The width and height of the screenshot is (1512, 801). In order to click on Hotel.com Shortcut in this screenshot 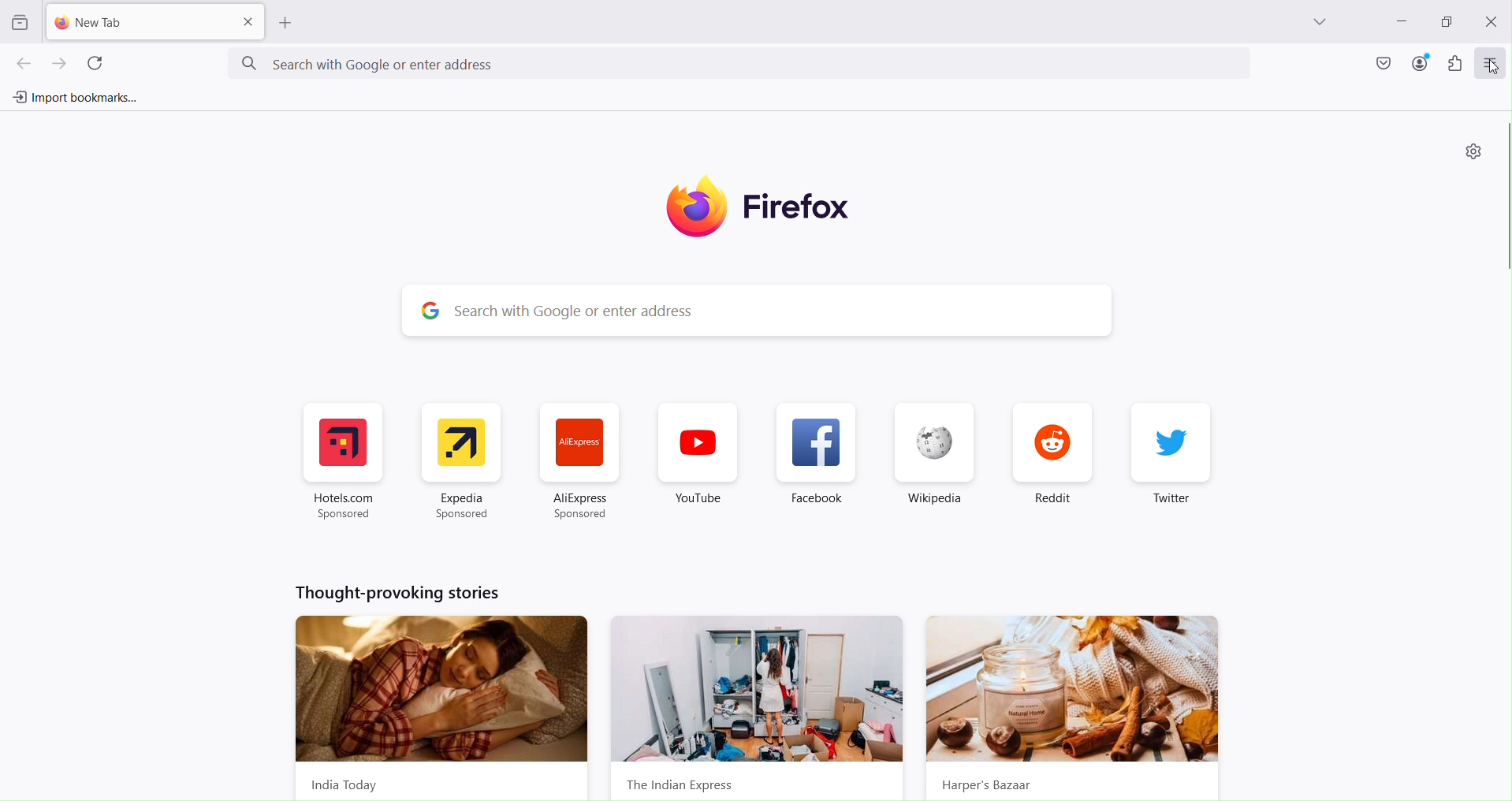, I will do `click(346, 462)`.